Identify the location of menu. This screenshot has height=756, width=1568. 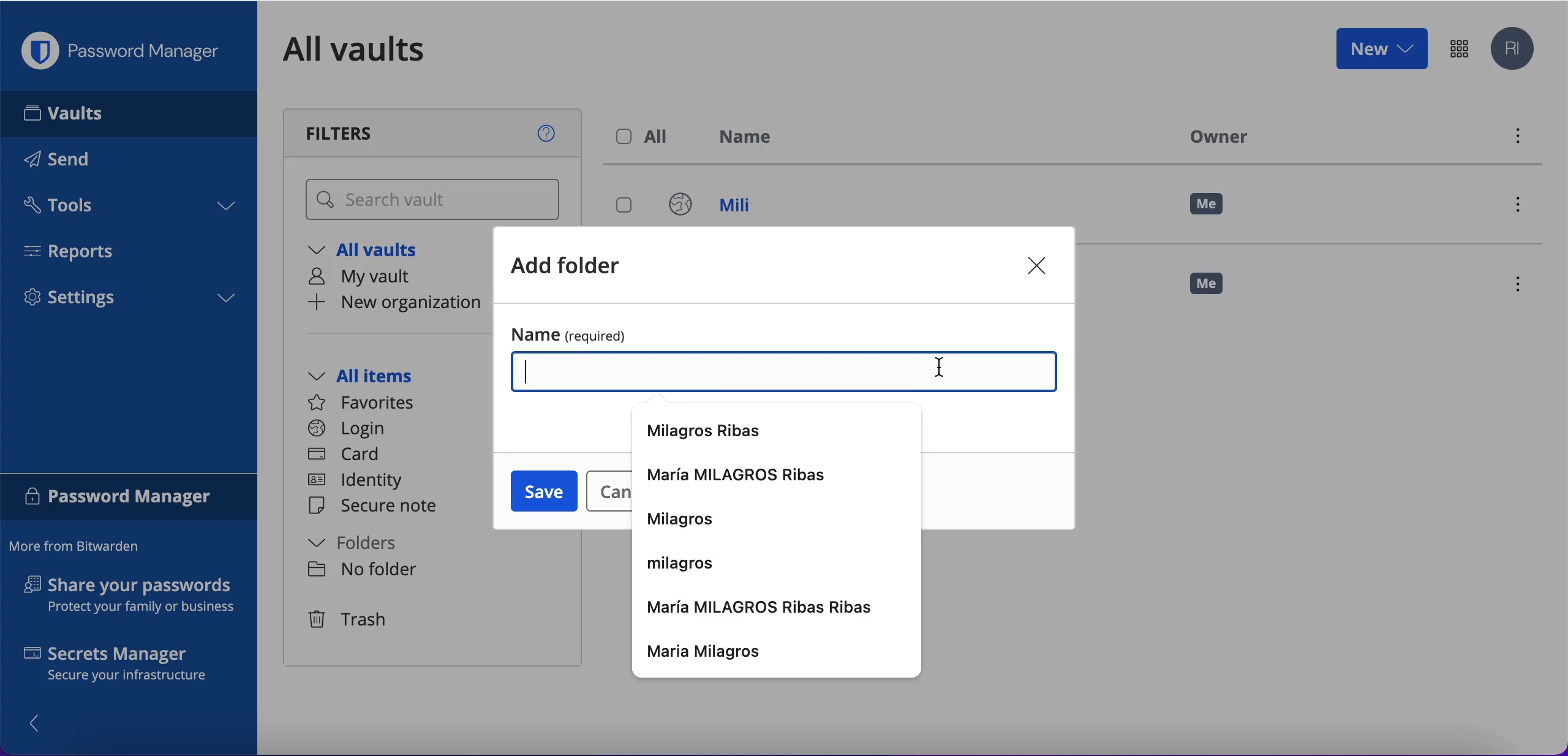
(1516, 139).